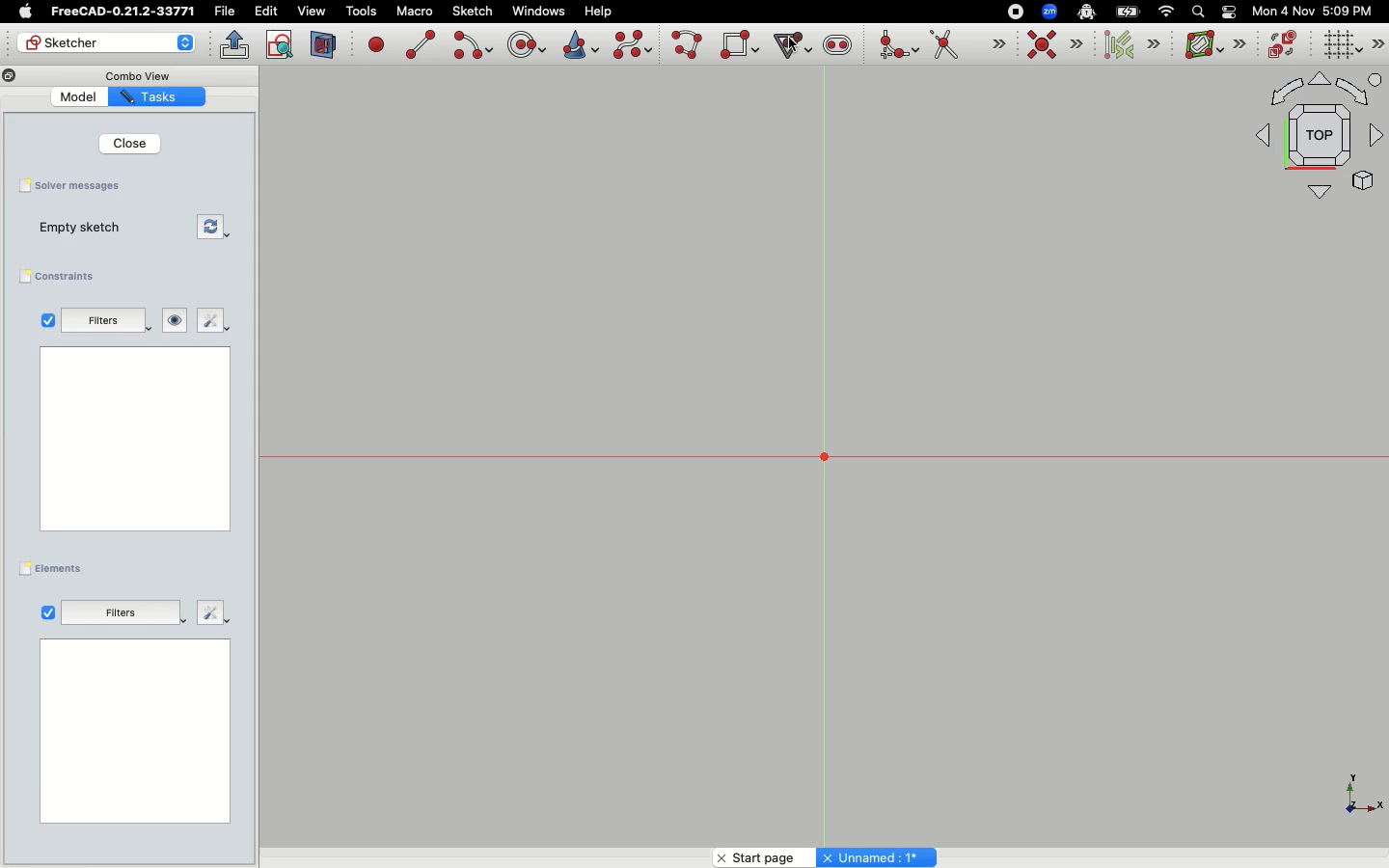  Describe the element at coordinates (48, 322) in the screenshot. I see `Tickbox` at that location.